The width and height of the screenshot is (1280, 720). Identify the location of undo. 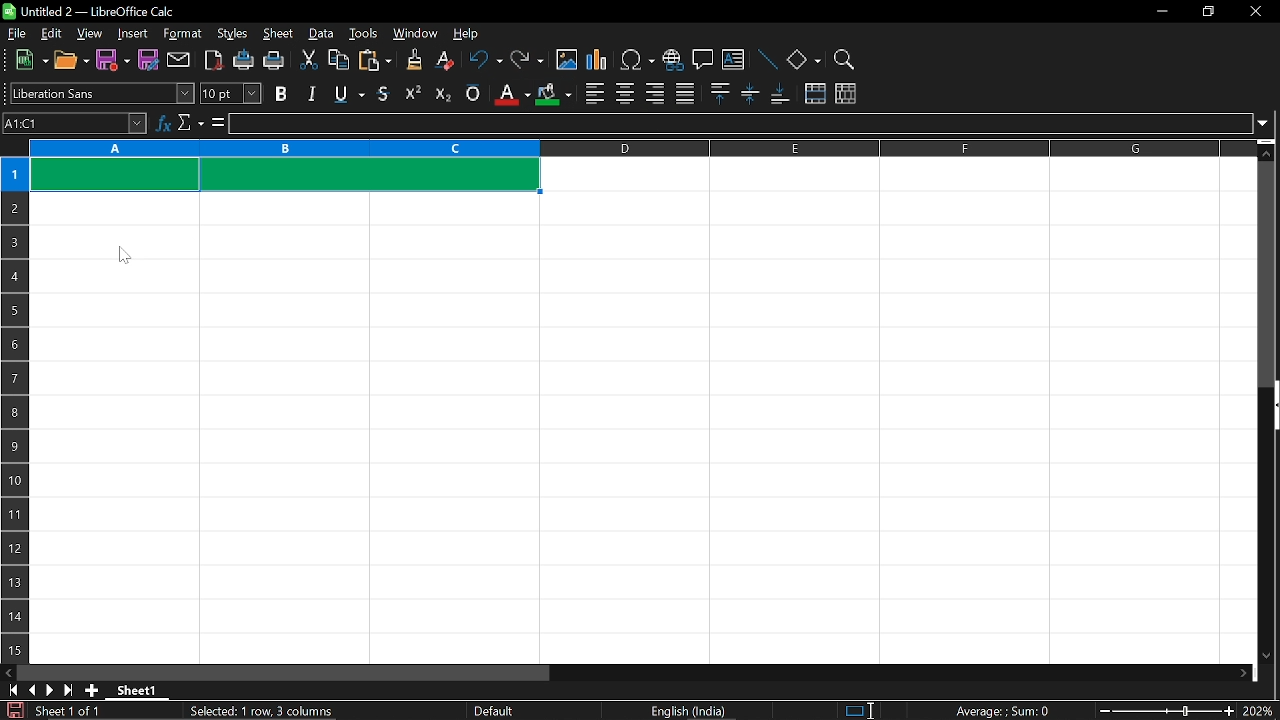
(484, 61).